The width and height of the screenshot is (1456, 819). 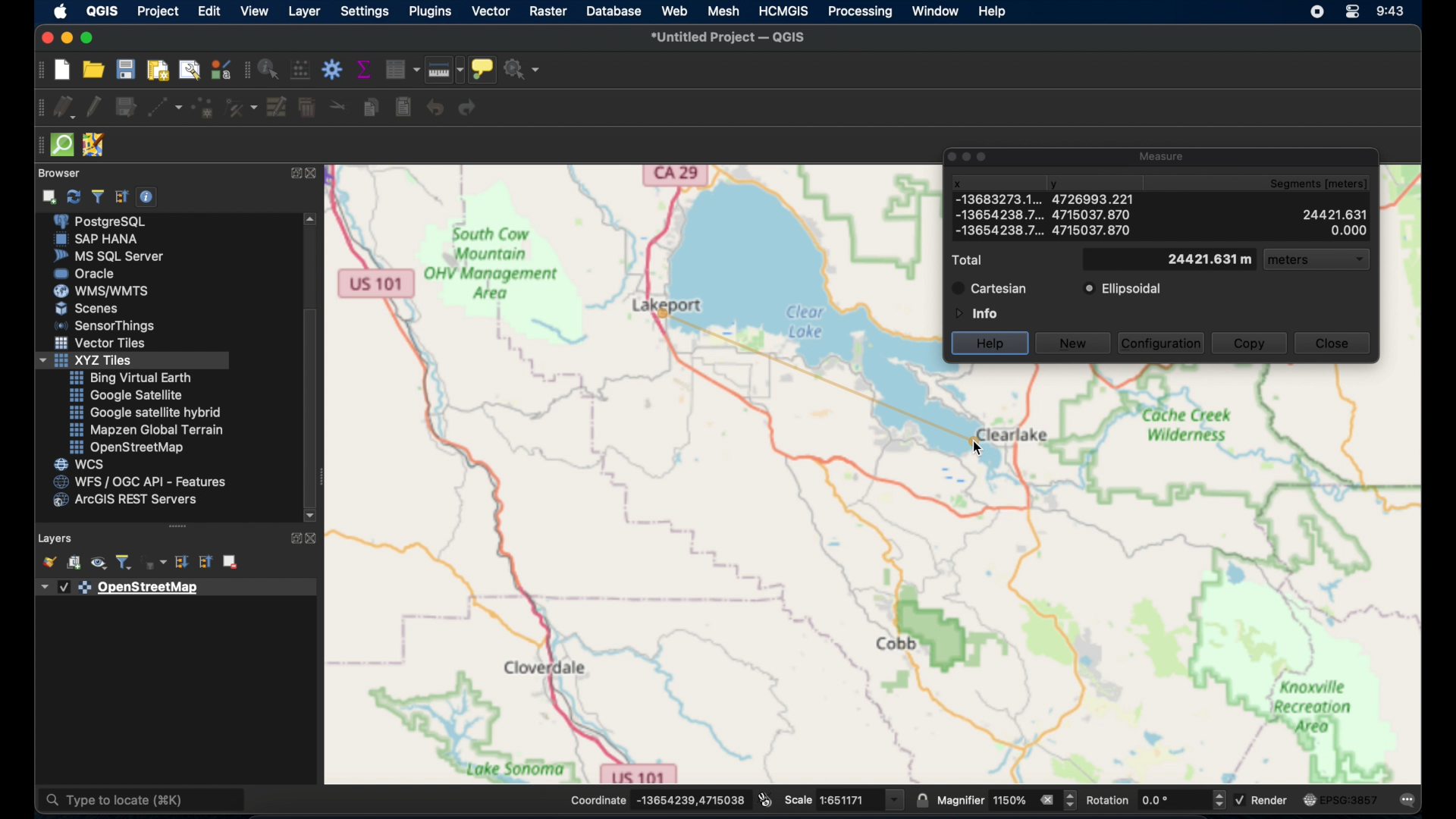 I want to click on new, so click(x=1073, y=344).